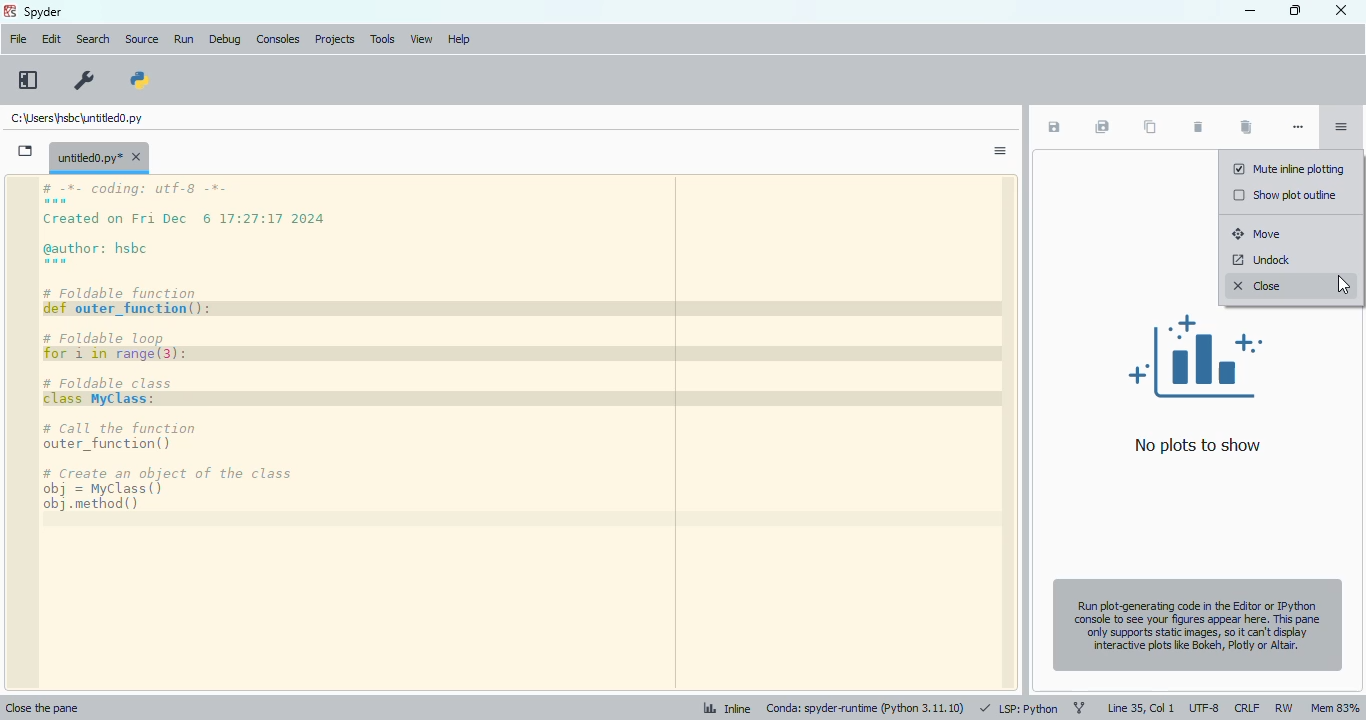 Image resolution: width=1366 pixels, height=720 pixels. What do you see at coordinates (206, 347) in the screenshot?
I see `code` at bounding box center [206, 347].